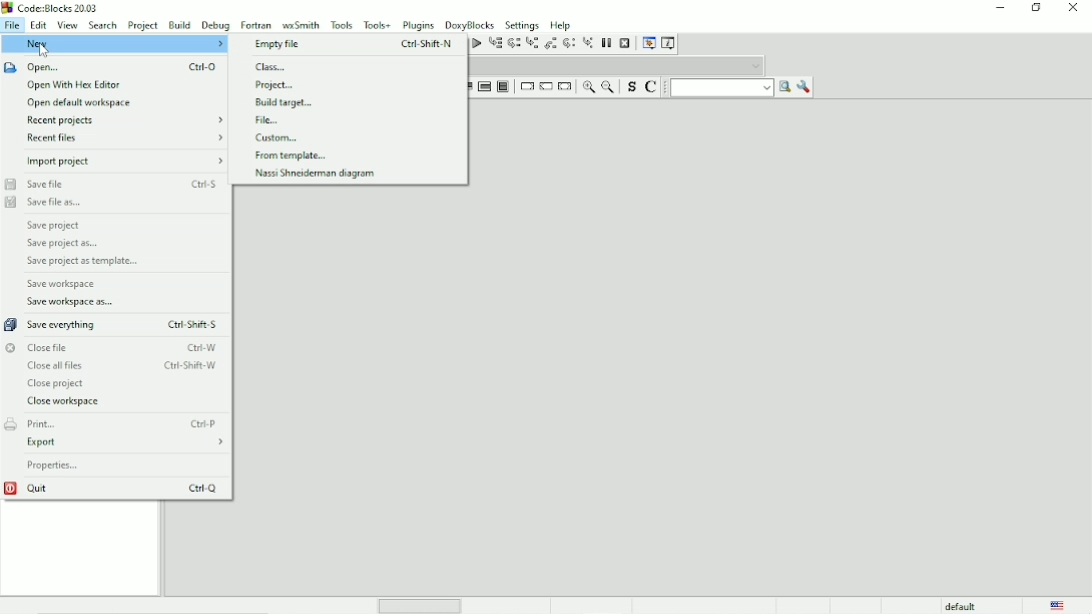  I want to click on Close all files, so click(121, 366).